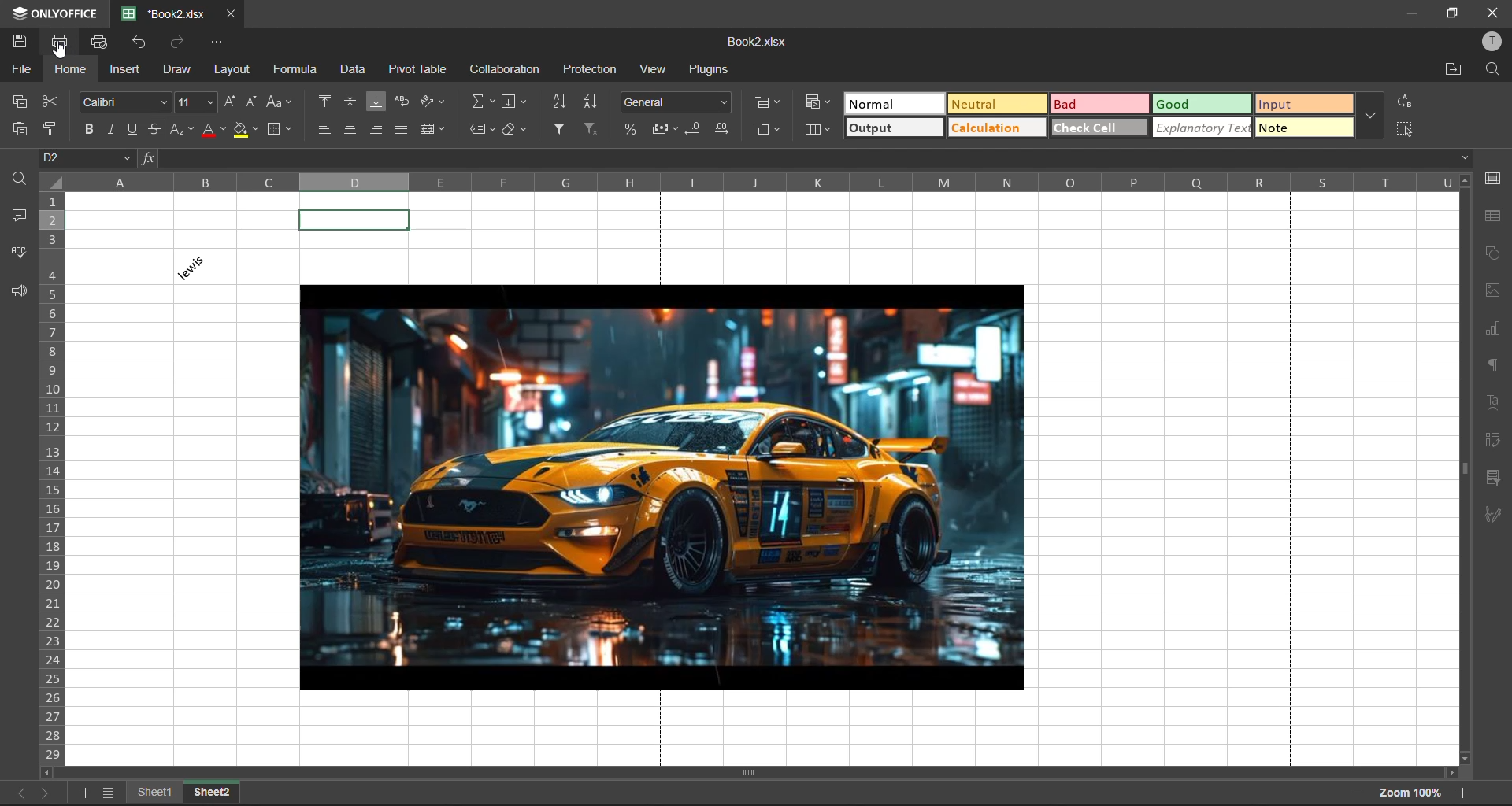 Image resolution: width=1512 pixels, height=806 pixels. I want to click on sheet list, so click(112, 794).